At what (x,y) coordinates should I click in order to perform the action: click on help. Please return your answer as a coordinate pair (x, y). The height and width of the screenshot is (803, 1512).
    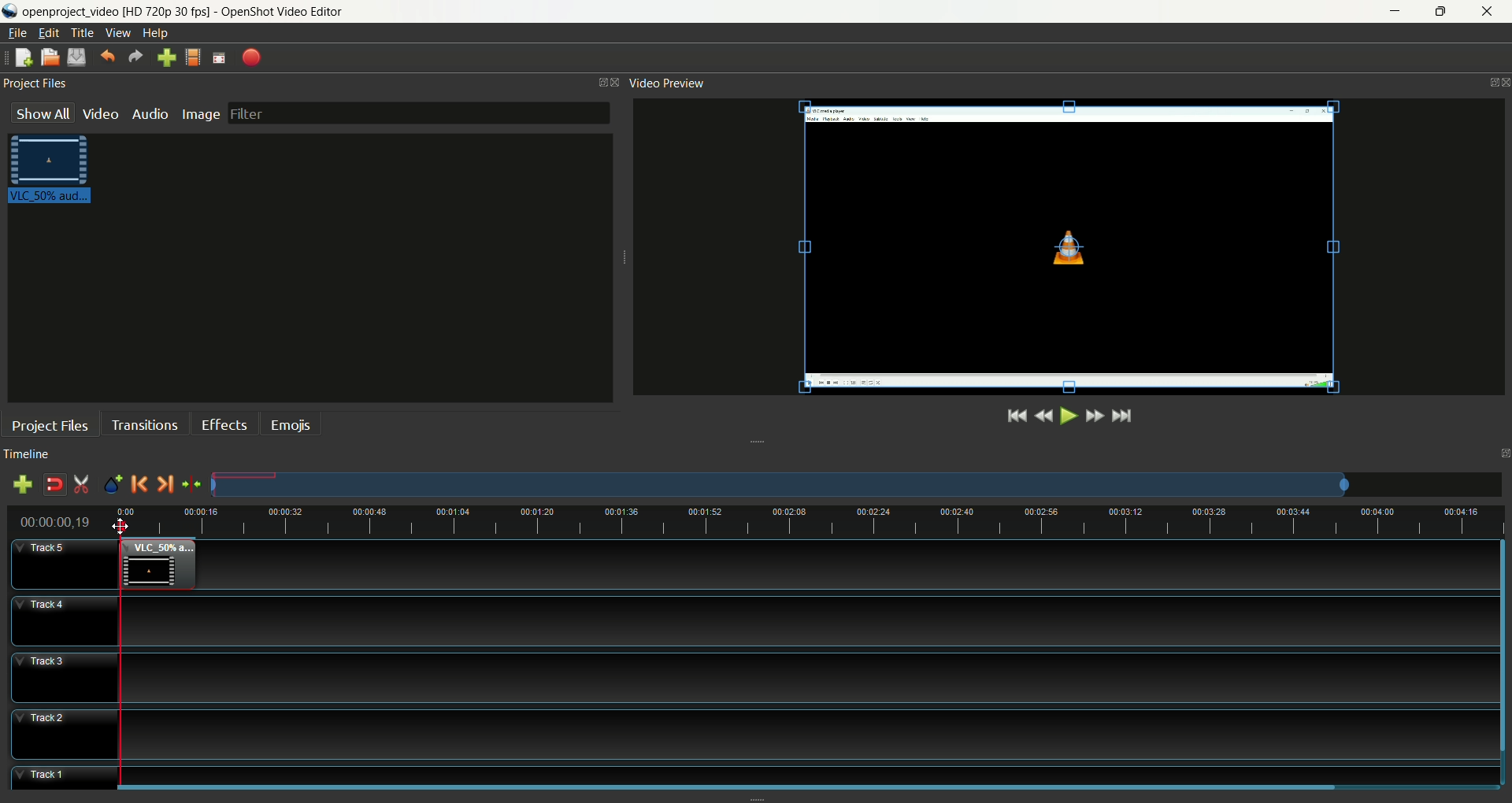
    Looking at the image, I should click on (157, 34).